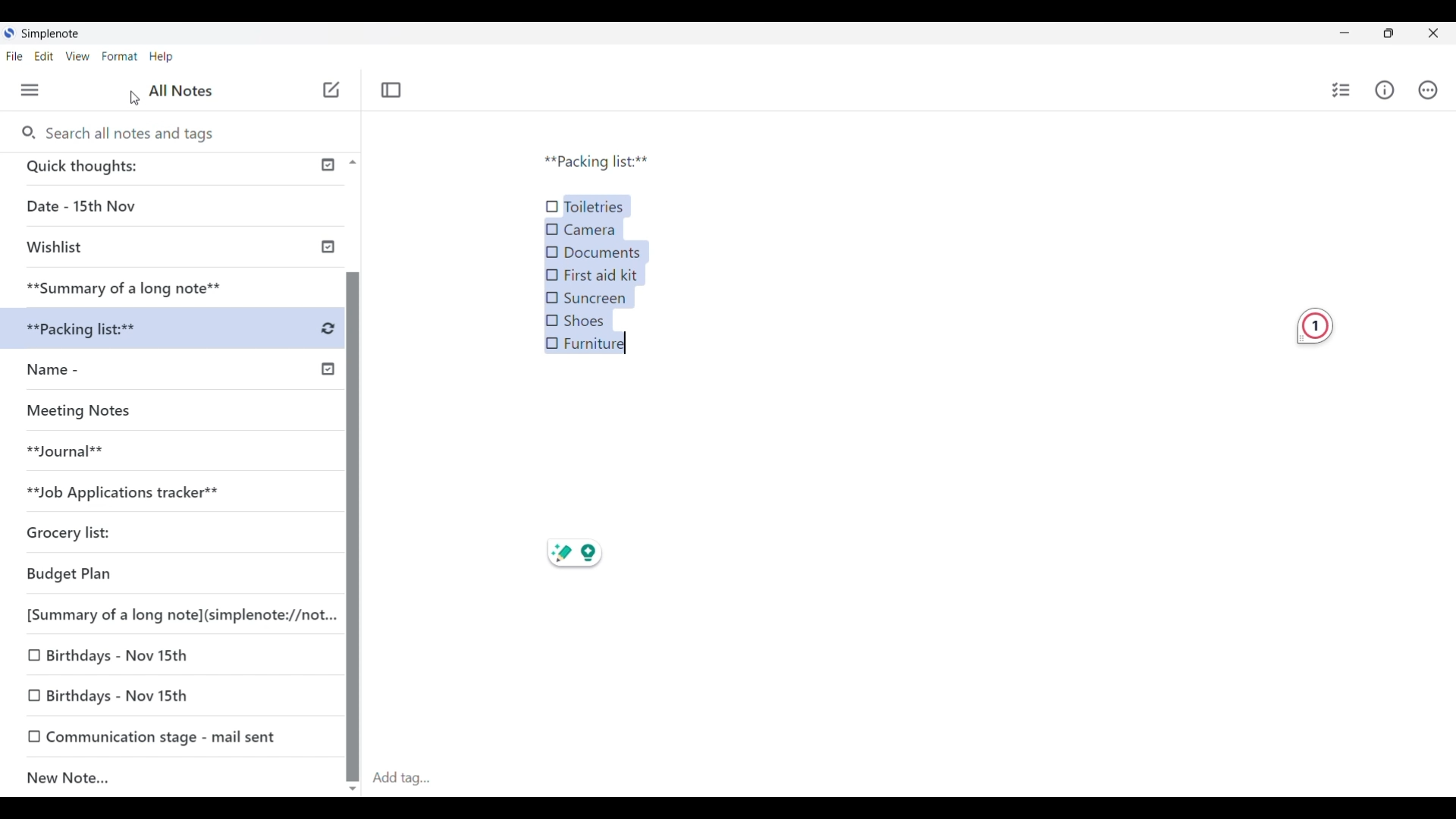 The image size is (1456, 819). What do you see at coordinates (8, 33) in the screenshot?
I see `Software logo` at bounding box center [8, 33].